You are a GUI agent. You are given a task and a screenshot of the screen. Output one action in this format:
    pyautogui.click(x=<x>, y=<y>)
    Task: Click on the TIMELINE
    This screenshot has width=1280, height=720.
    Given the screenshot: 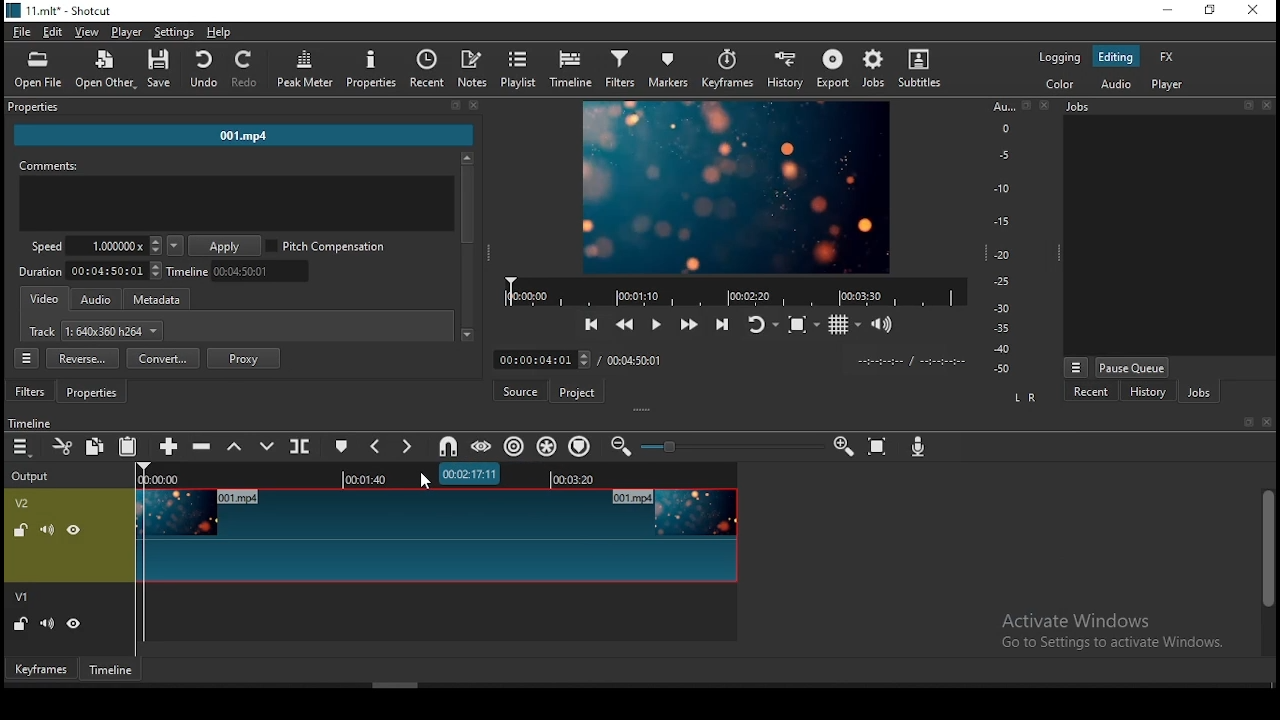 What is the action you would take?
    pyautogui.click(x=438, y=475)
    